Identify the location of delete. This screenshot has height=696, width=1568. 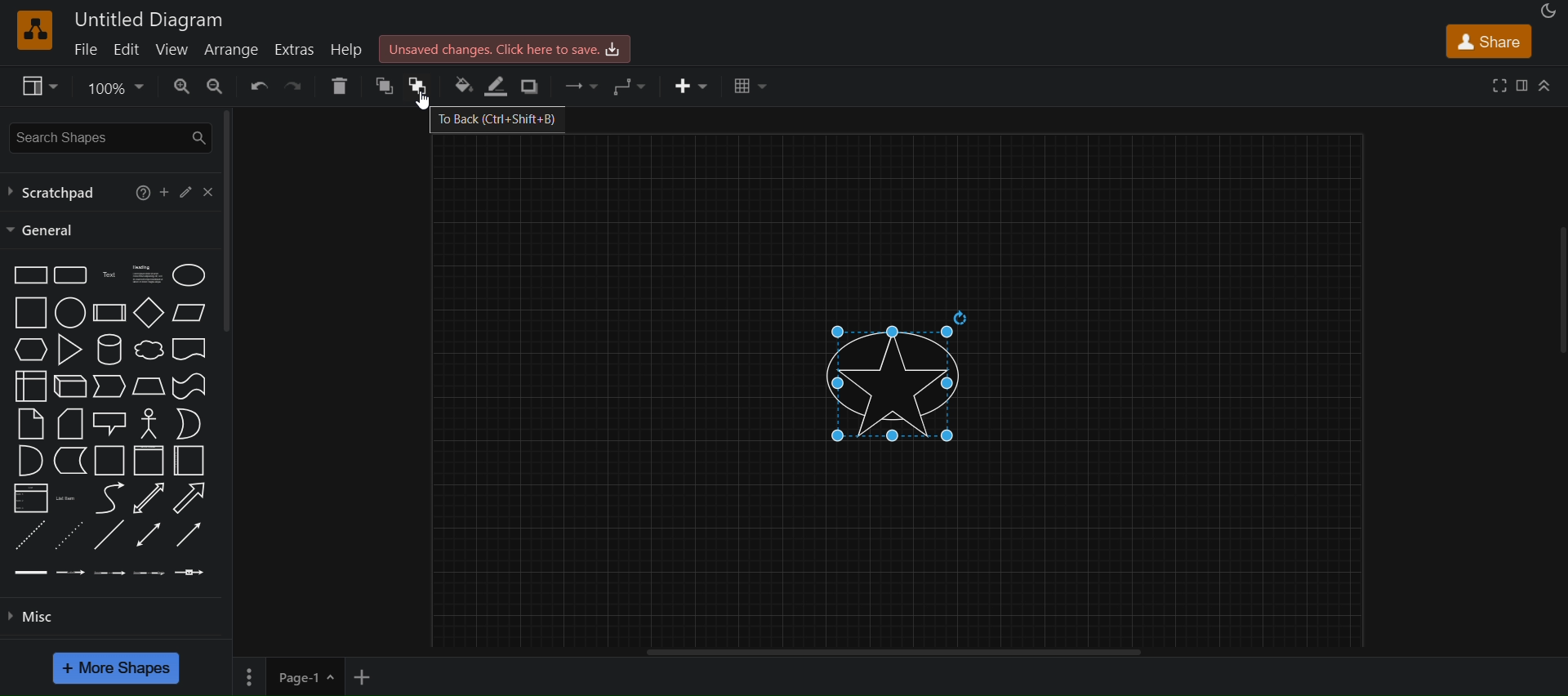
(341, 86).